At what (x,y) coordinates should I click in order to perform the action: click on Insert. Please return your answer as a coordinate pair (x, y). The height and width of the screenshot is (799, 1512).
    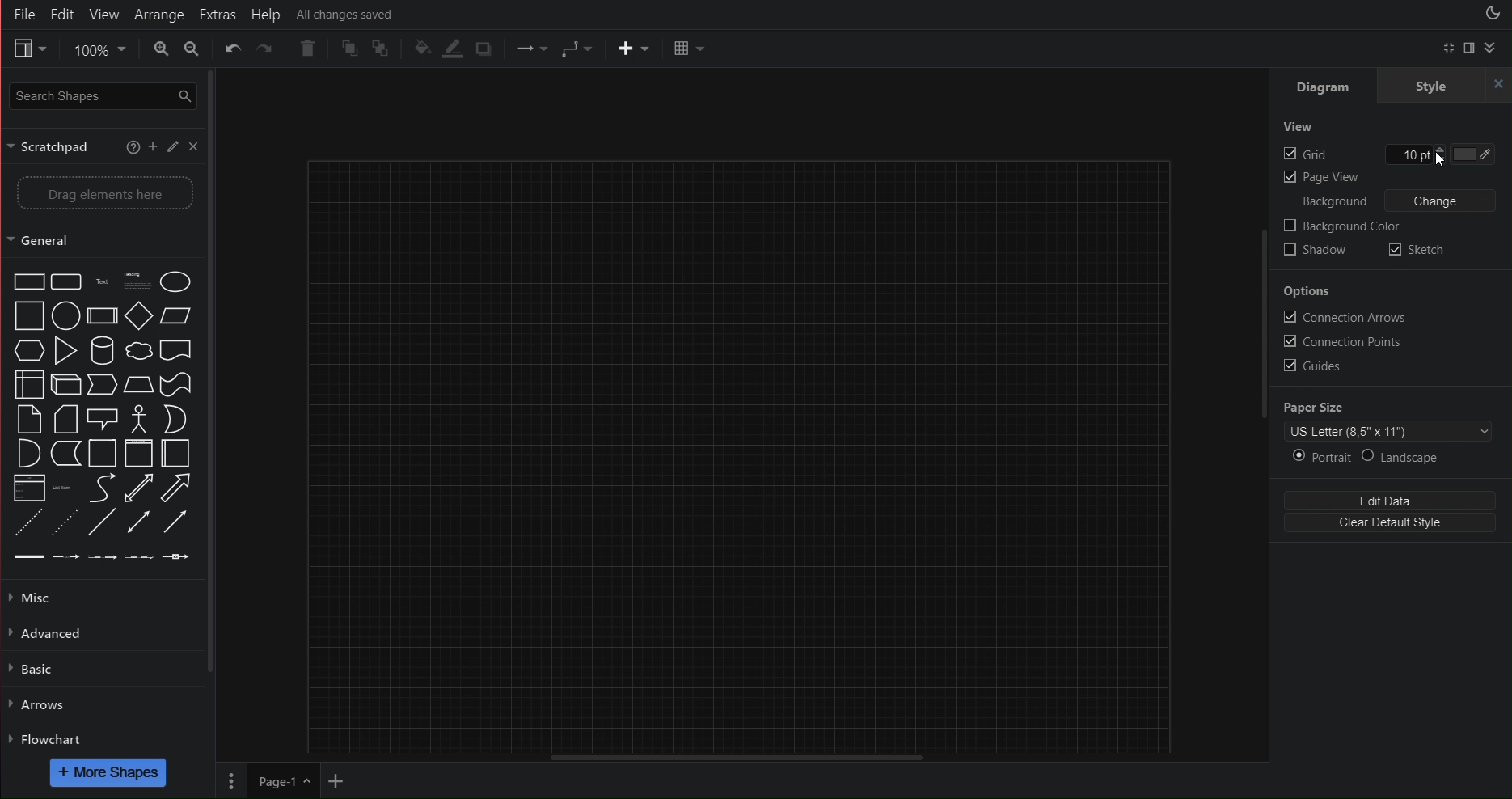
    Looking at the image, I should click on (627, 49).